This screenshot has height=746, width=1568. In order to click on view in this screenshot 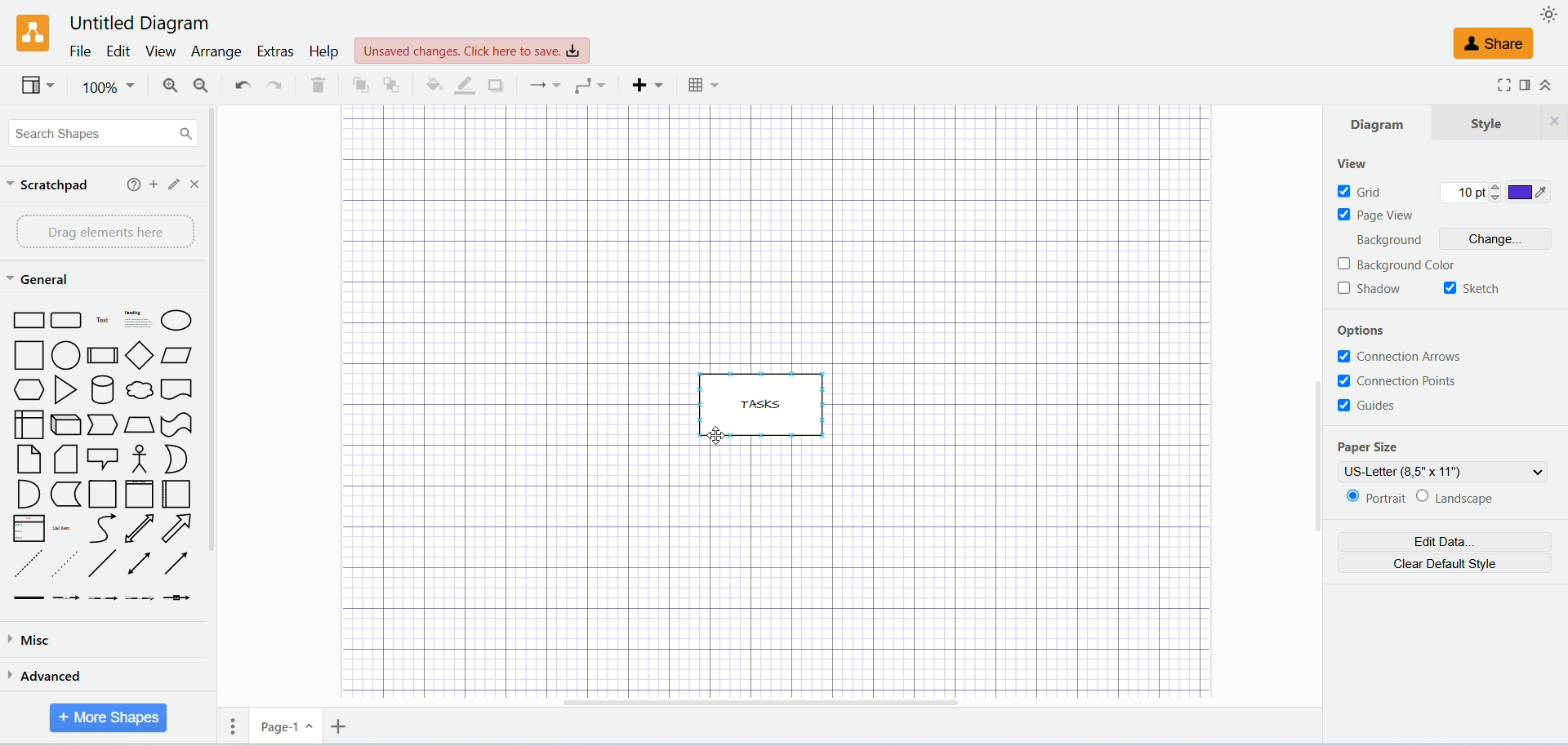, I will do `click(1355, 165)`.